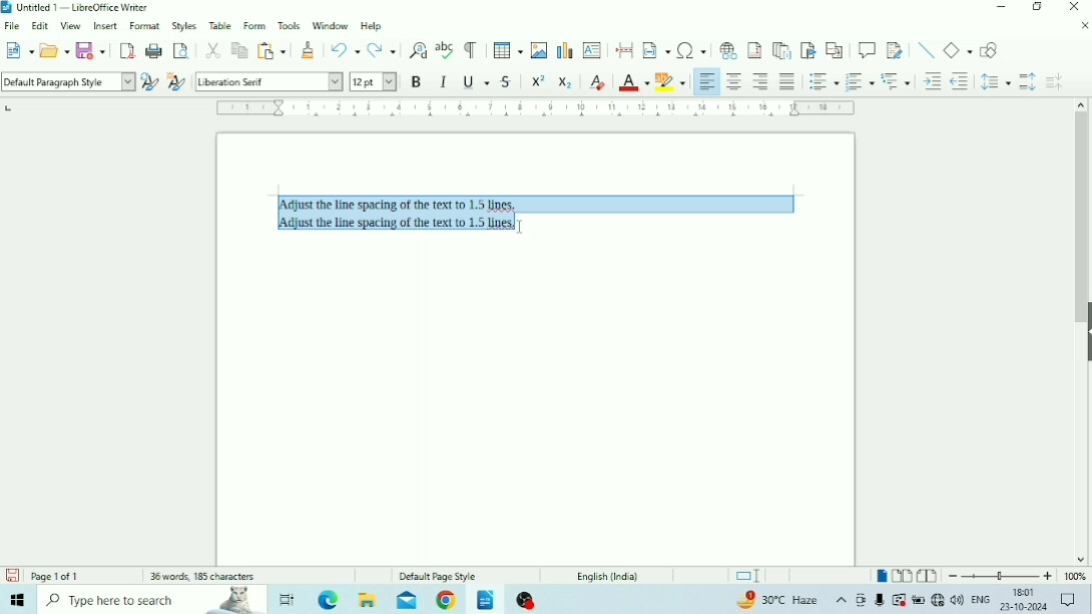 The height and width of the screenshot is (614, 1092). I want to click on Meet Now, so click(862, 600).